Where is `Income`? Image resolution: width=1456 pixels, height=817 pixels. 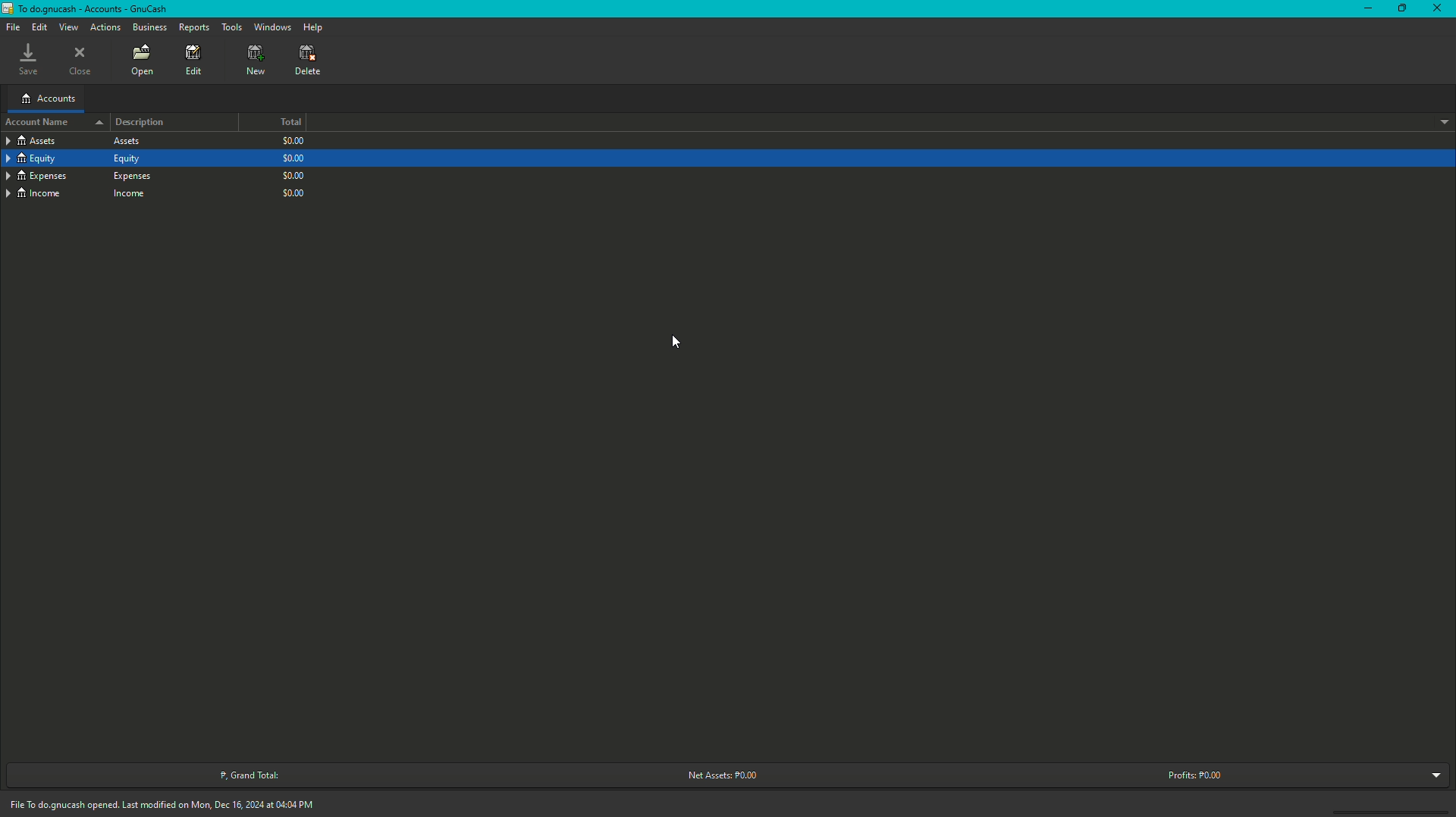
Income is located at coordinates (80, 193).